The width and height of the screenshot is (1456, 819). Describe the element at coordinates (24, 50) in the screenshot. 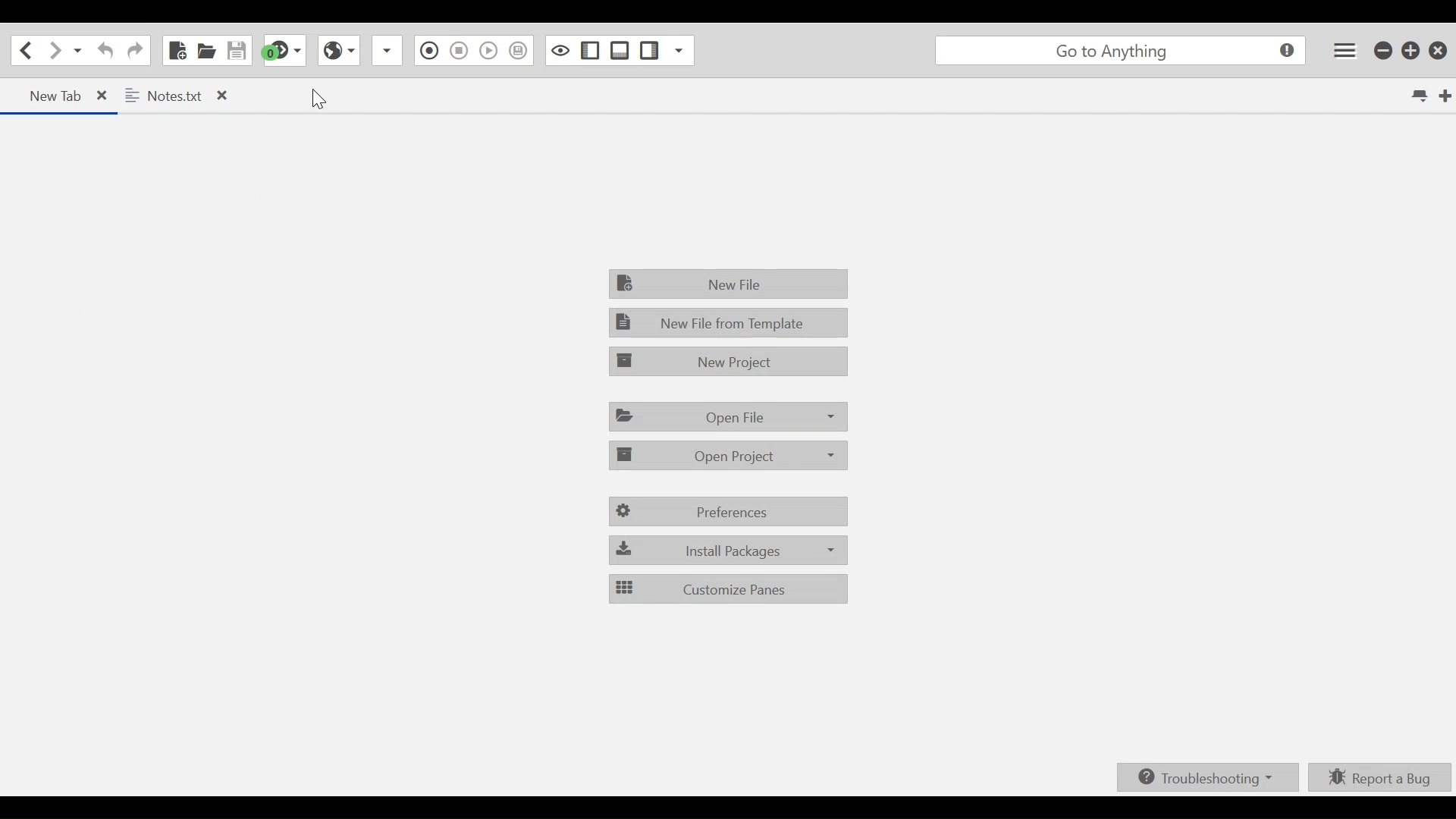

I see `Click to go back one location` at that location.